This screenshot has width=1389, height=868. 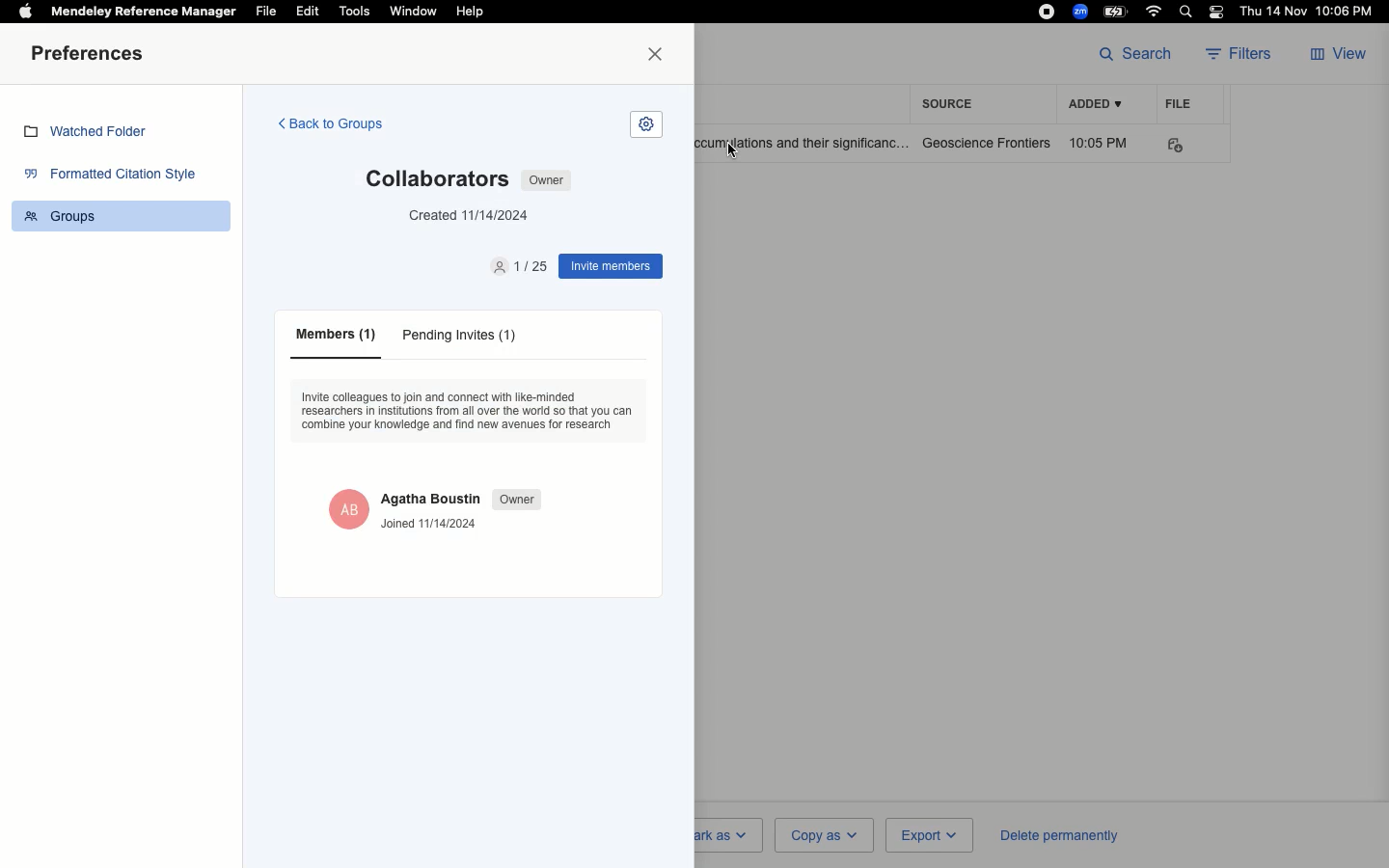 What do you see at coordinates (609, 266) in the screenshot?
I see `Invite memebers` at bounding box center [609, 266].